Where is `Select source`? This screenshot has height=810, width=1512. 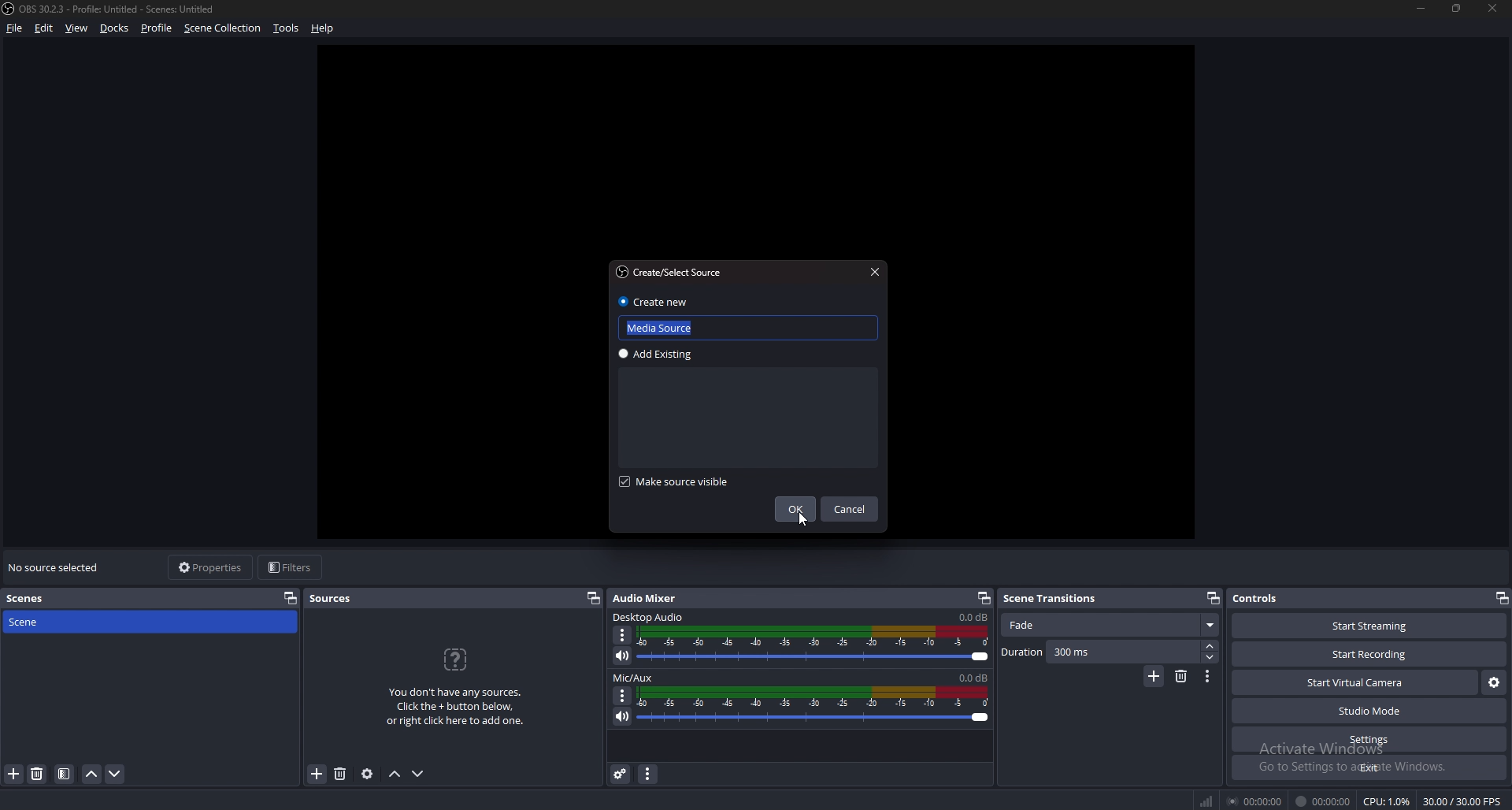
Select source is located at coordinates (668, 272).